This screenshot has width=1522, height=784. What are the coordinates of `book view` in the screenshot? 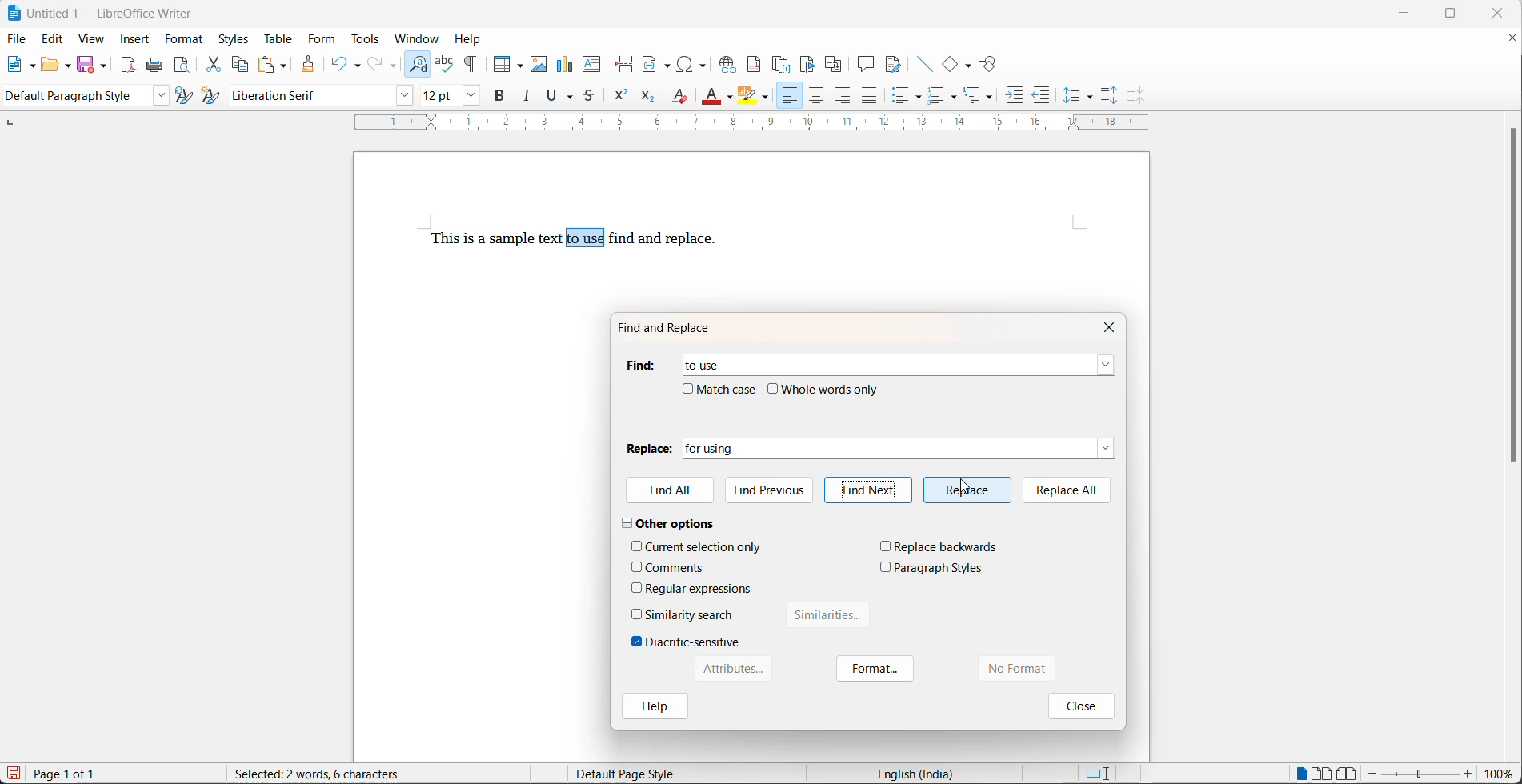 It's located at (1348, 773).